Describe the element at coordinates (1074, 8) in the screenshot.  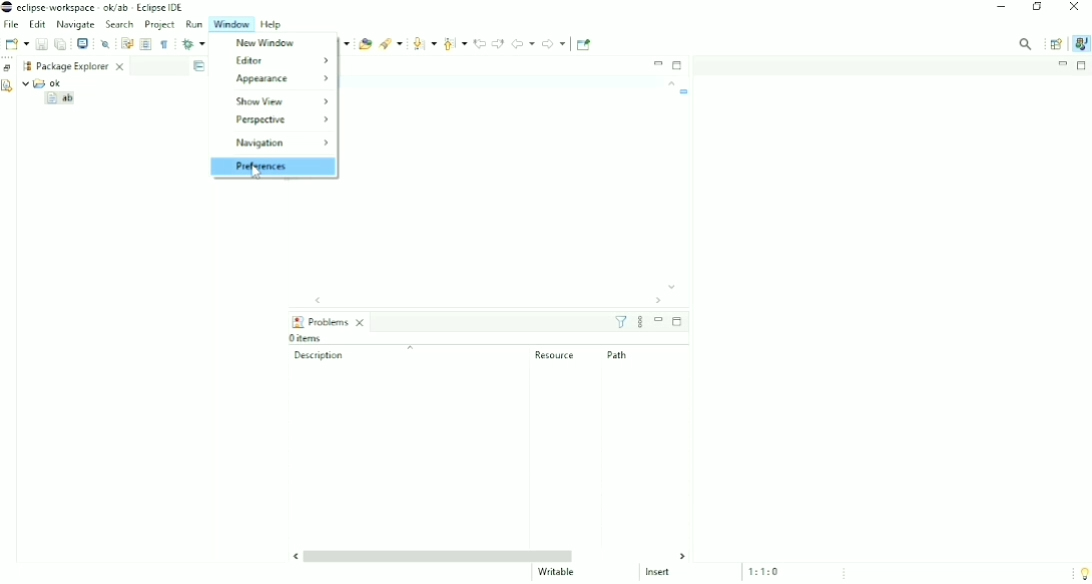
I see `Close` at that location.